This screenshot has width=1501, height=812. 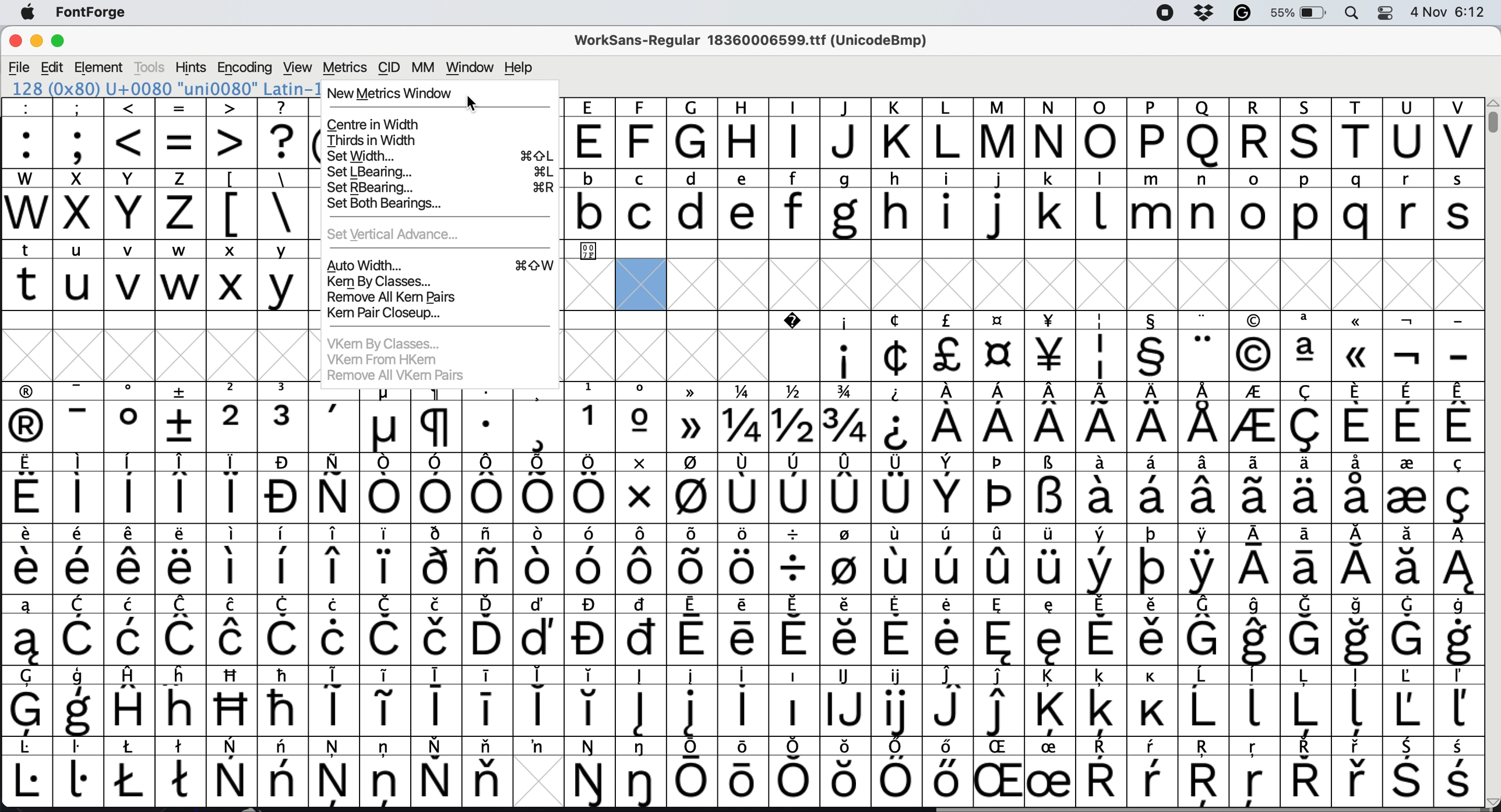 I want to click on special characters, so click(x=741, y=390).